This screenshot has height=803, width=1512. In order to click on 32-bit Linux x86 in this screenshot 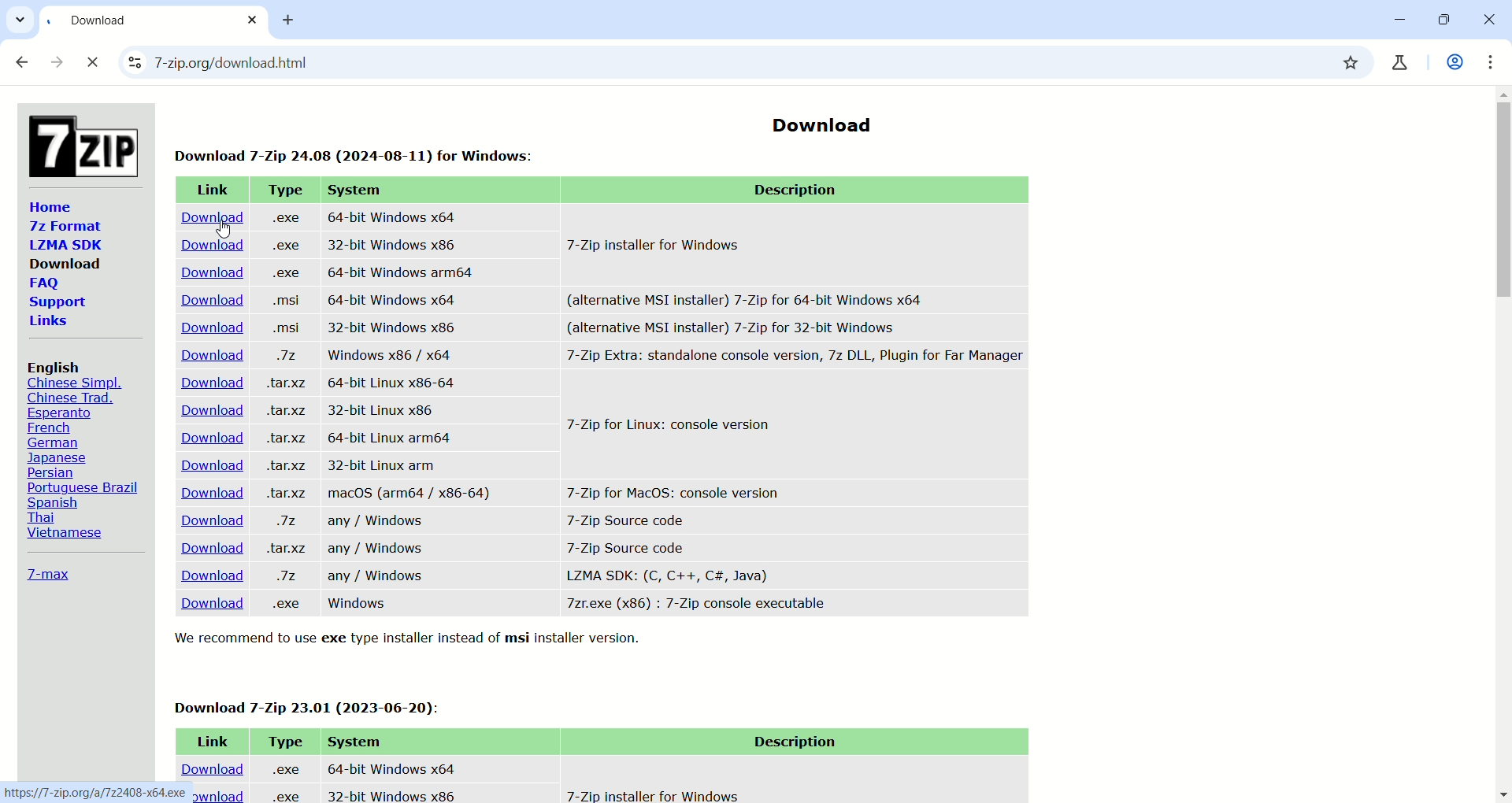, I will do `click(384, 410)`.